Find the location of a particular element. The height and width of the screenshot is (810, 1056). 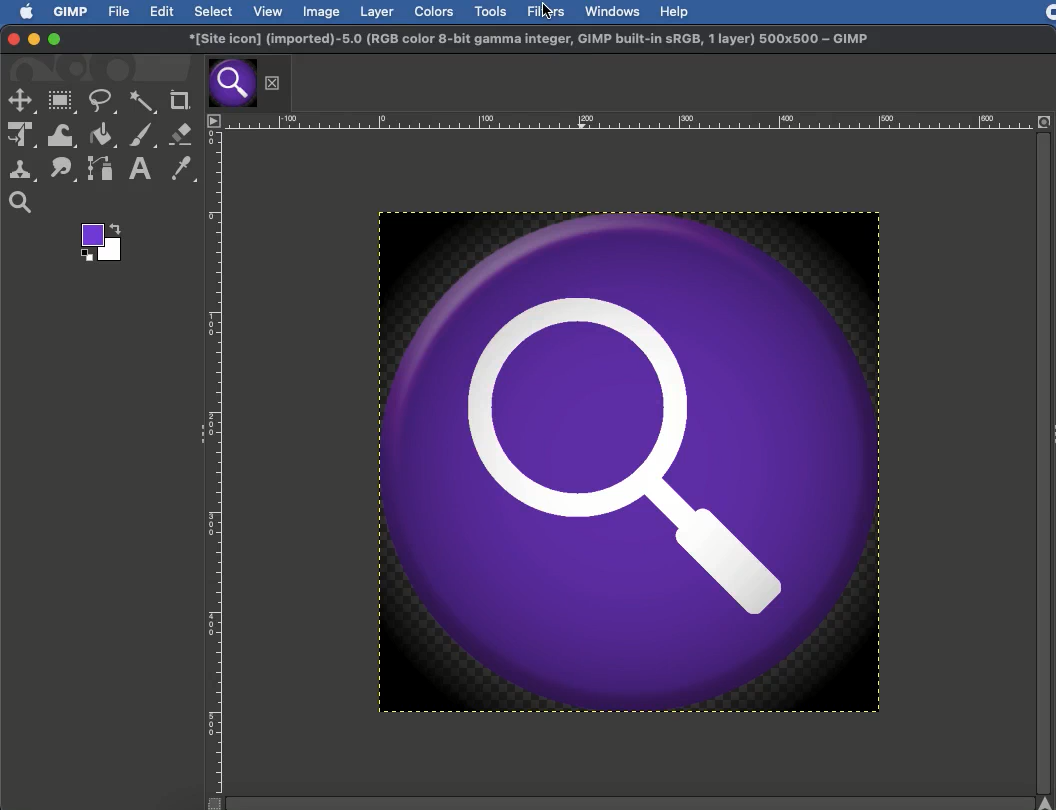

Select is located at coordinates (212, 11).